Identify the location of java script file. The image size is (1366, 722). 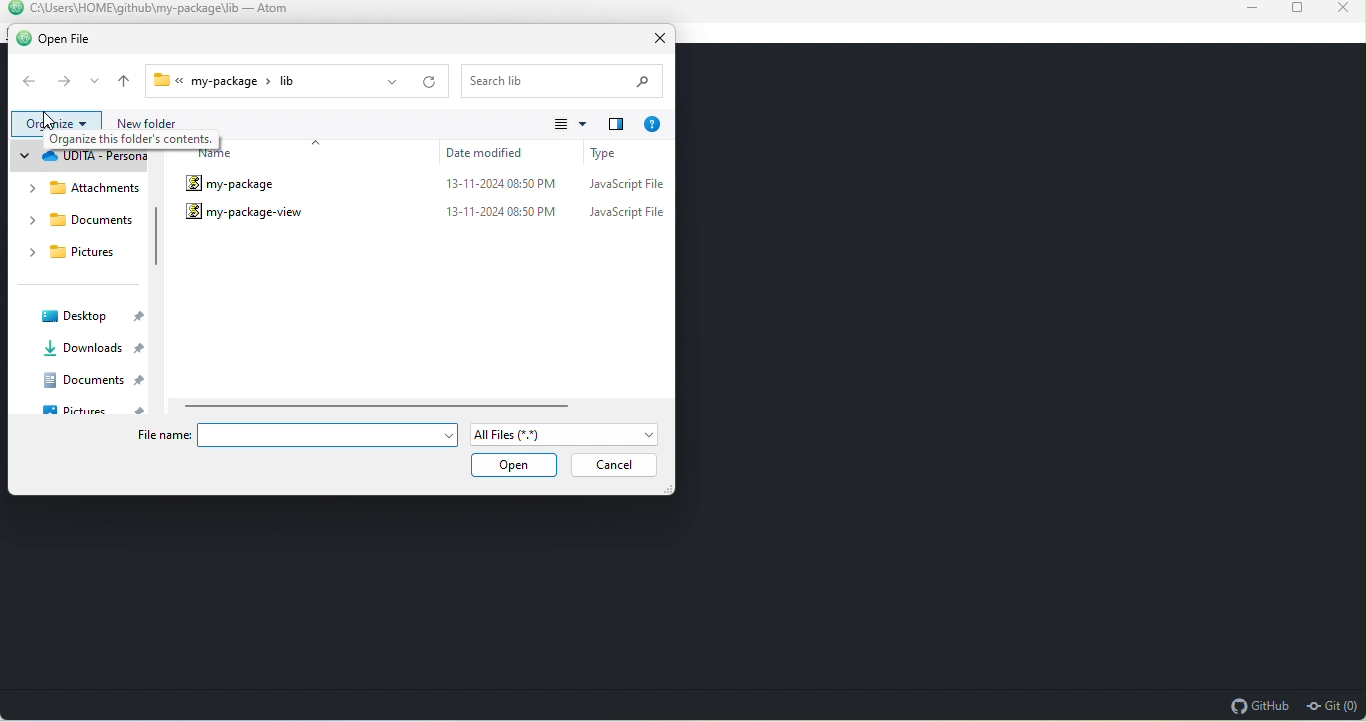
(625, 219).